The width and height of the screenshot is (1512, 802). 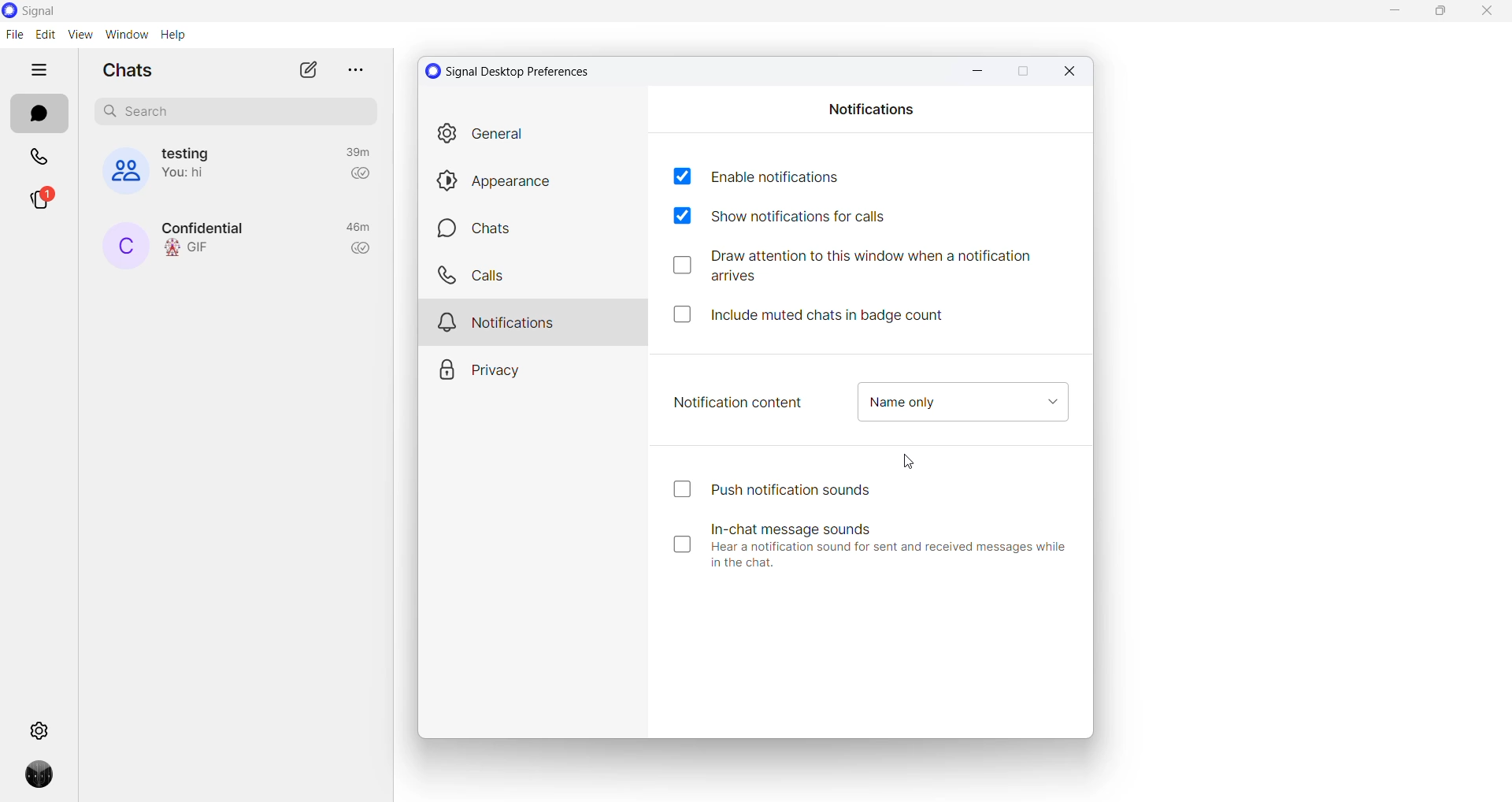 What do you see at coordinates (739, 402) in the screenshot?
I see `notification content` at bounding box center [739, 402].